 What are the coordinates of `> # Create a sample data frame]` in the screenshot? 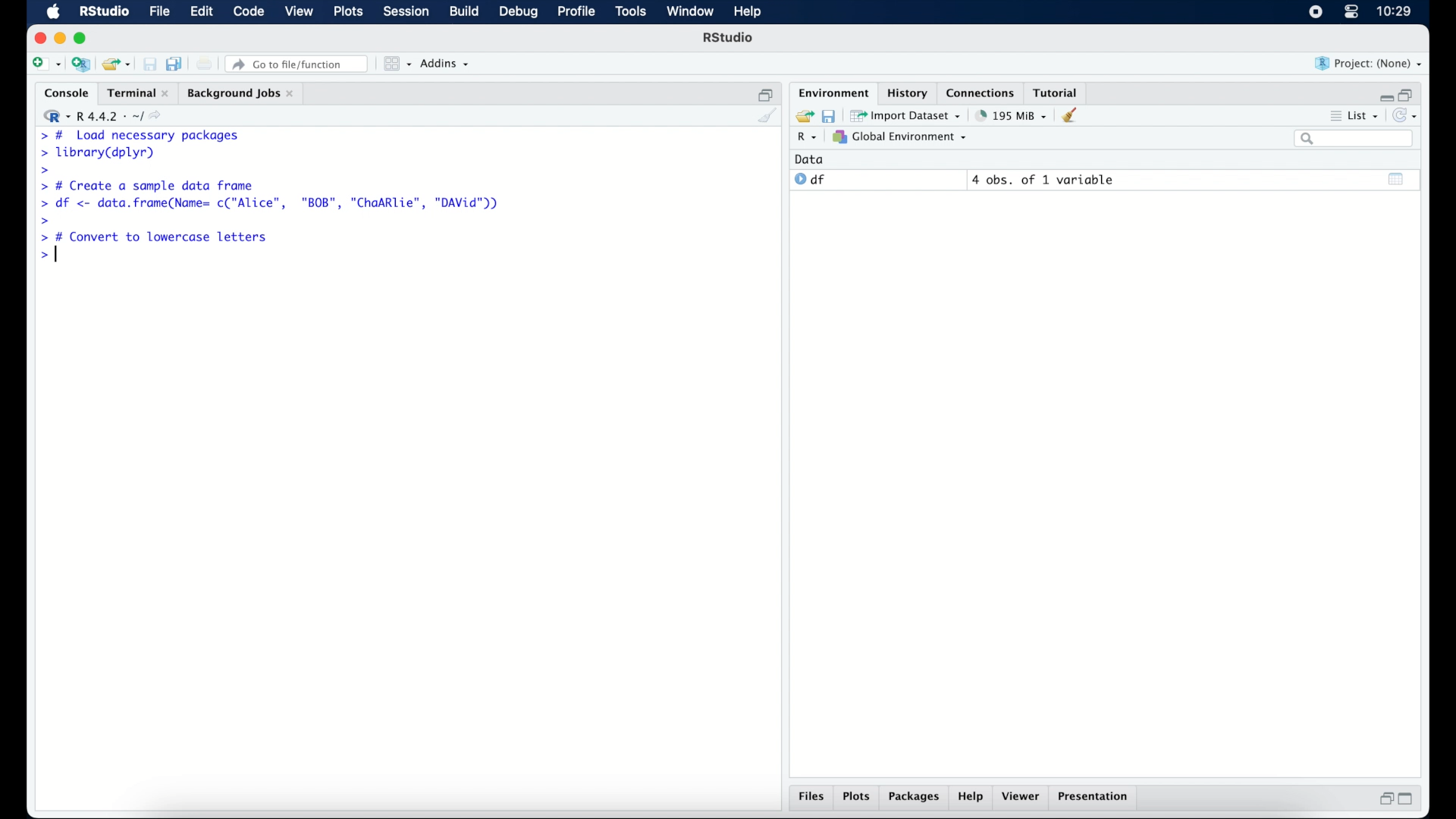 It's located at (150, 185).